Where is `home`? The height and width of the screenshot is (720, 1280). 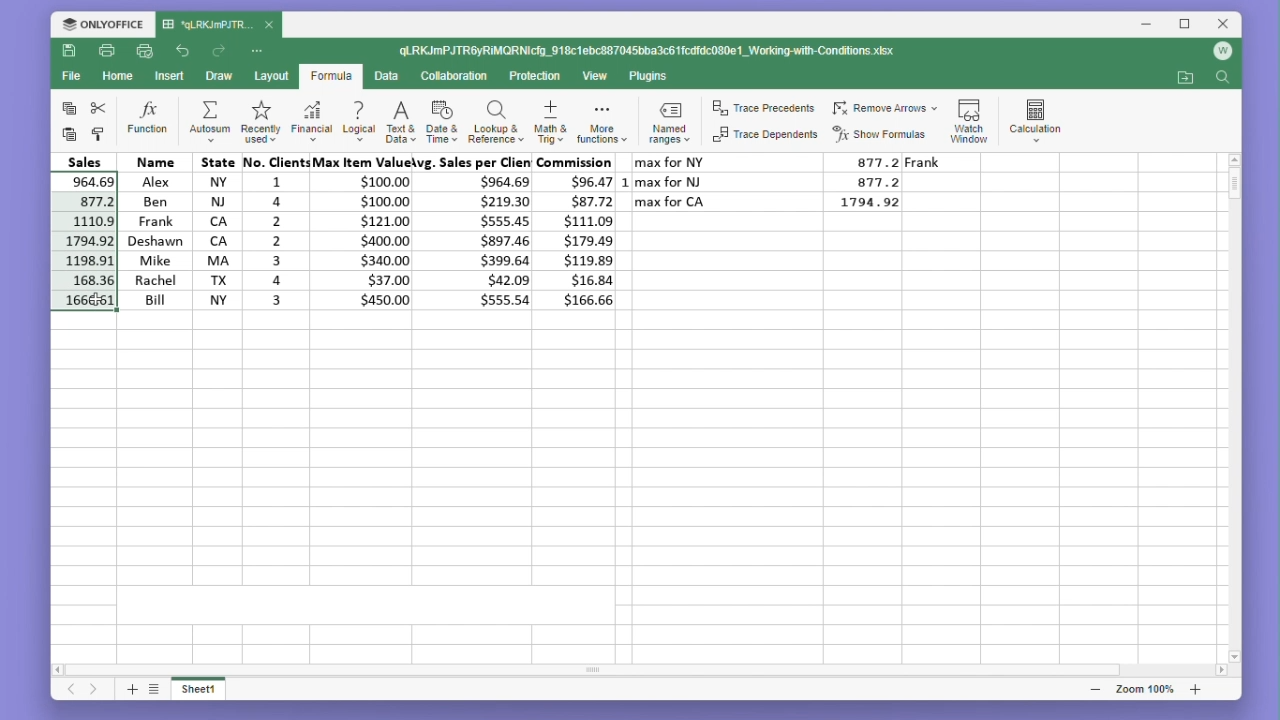 home is located at coordinates (114, 75).